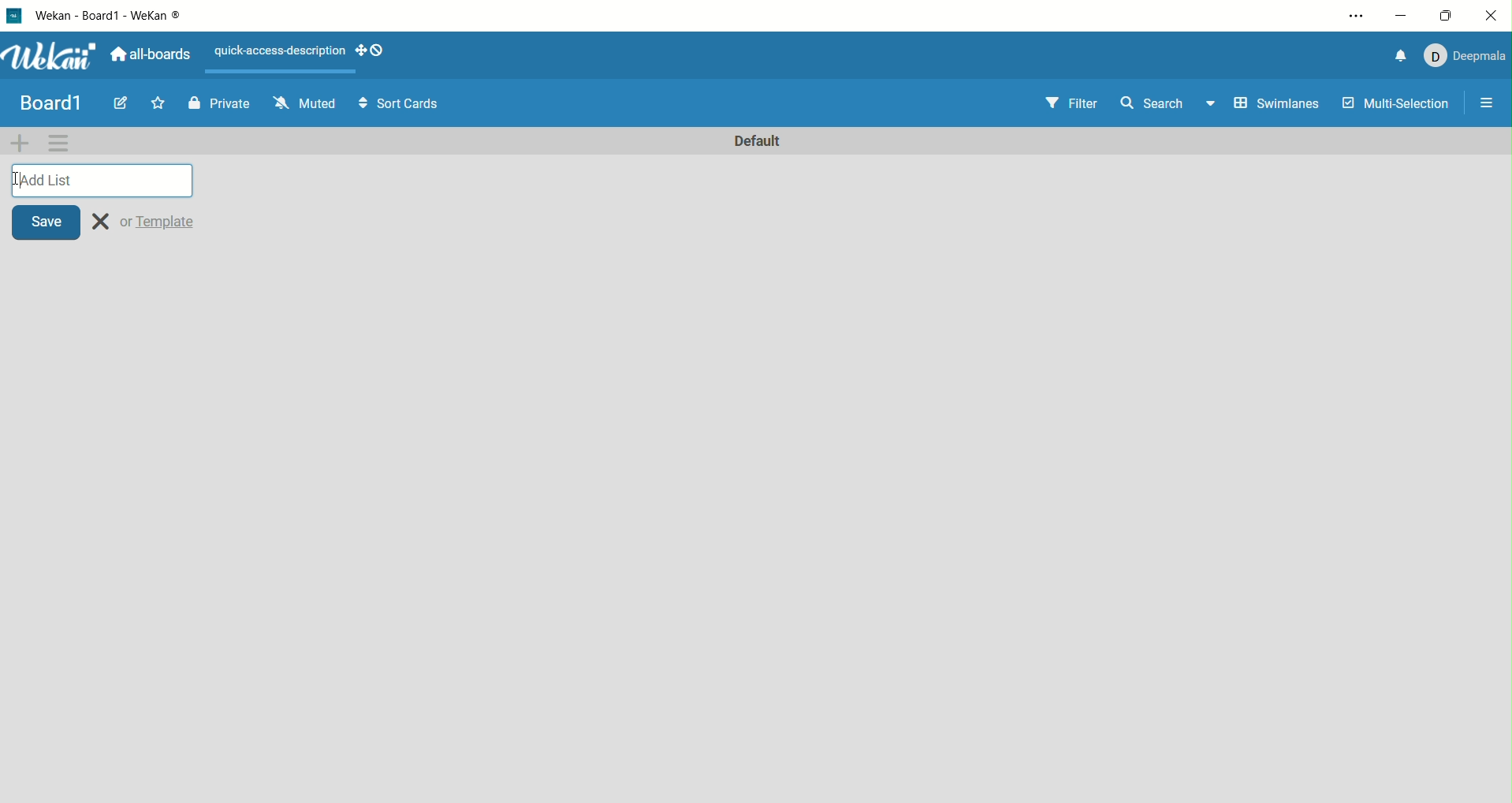  What do you see at coordinates (20, 142) in the screenshot?
I see `add swimlane` at bounding box center [20, 142].